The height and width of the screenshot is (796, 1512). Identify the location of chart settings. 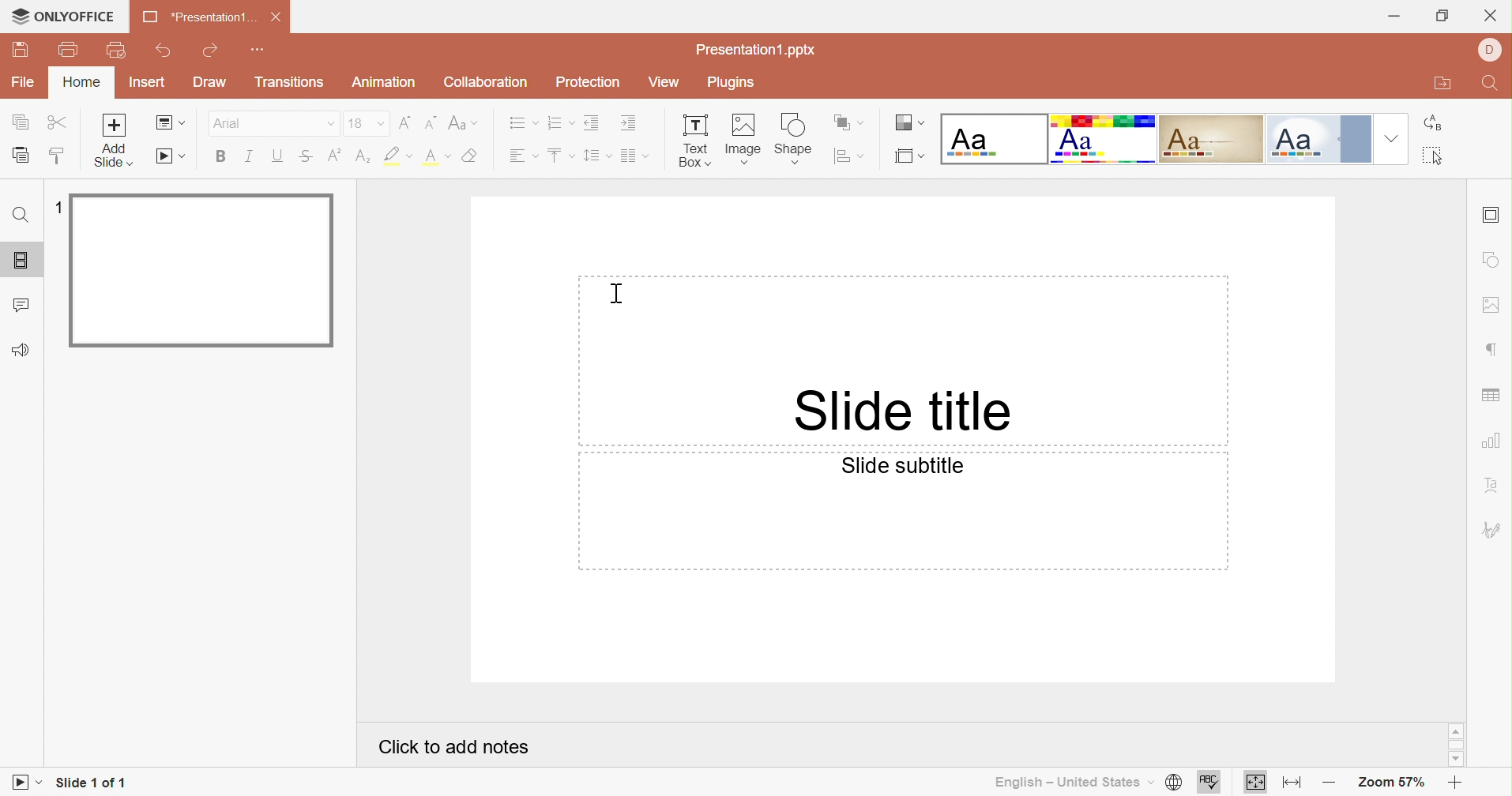
(1491, 445).